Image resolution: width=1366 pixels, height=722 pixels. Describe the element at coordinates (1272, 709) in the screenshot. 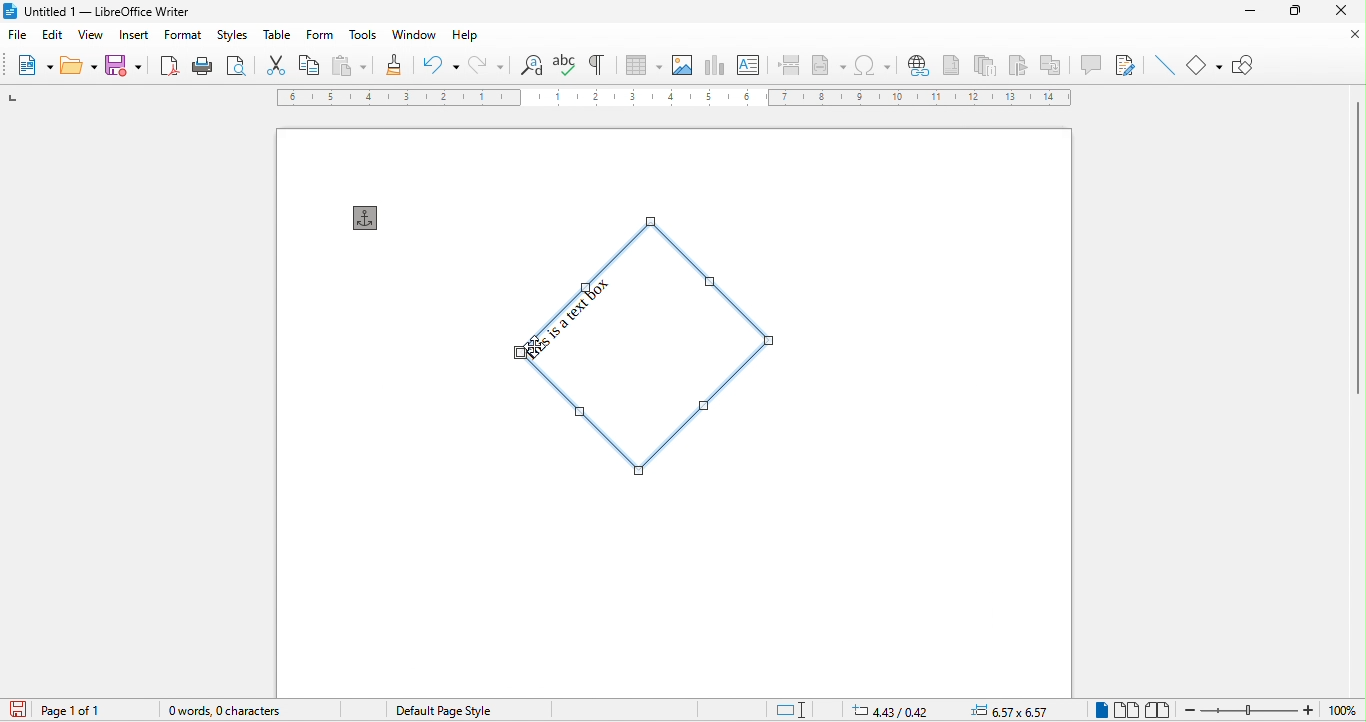

I see `zoom` at that location.